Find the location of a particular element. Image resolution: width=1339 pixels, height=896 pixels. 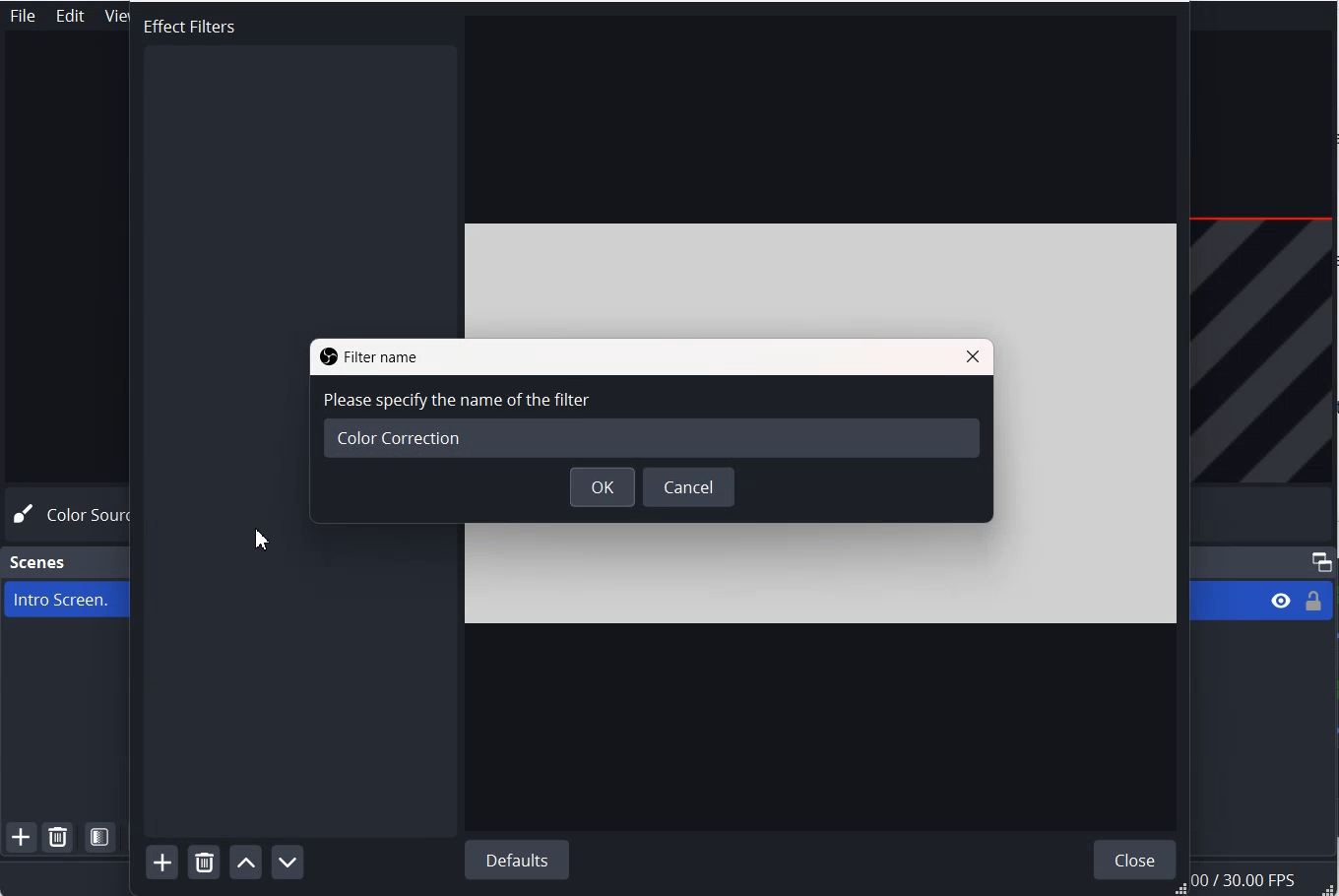

Information Display is located at coordinates (1264, 880).